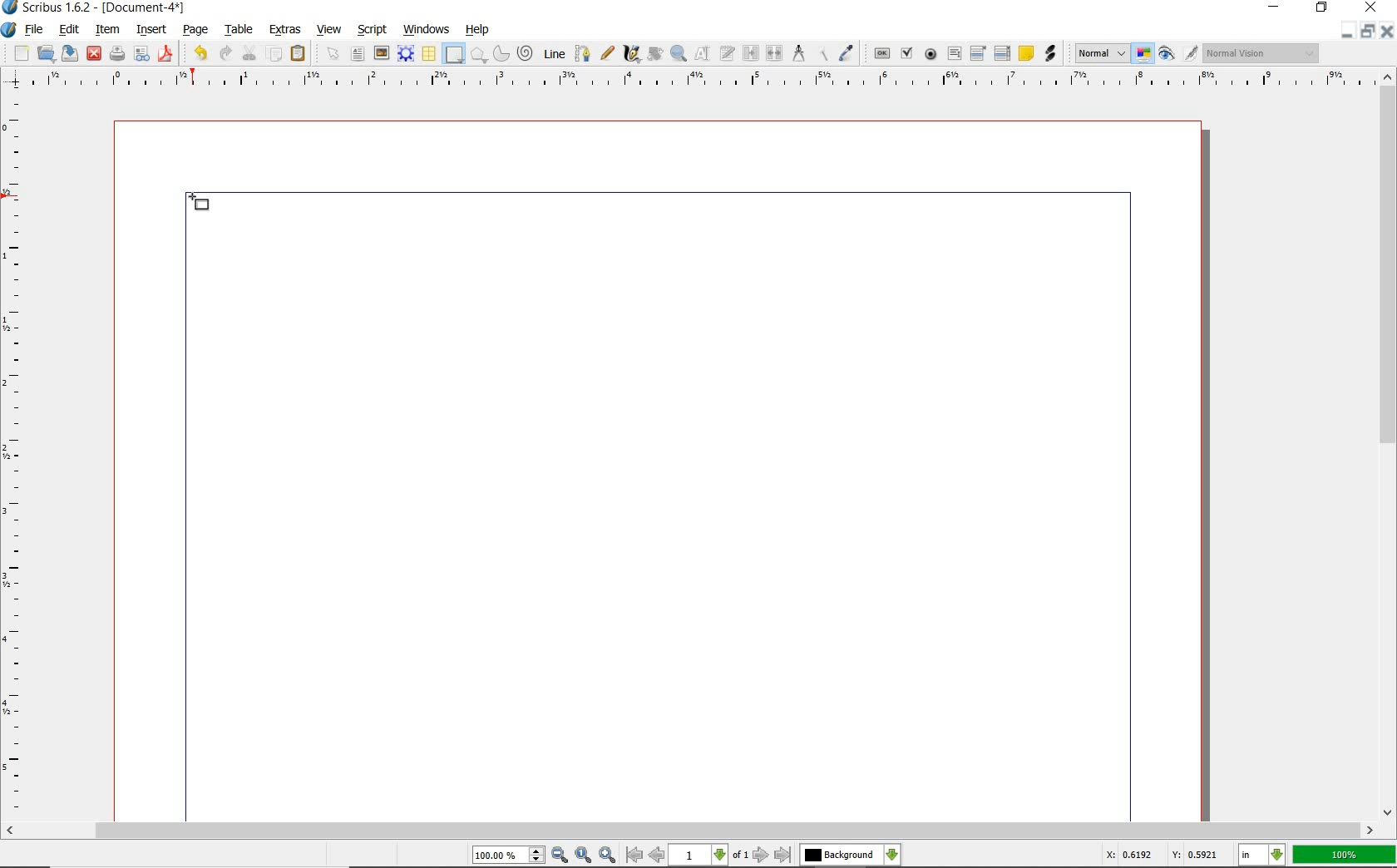  Describe the element at coordinates (1049, 55) in the screenshot. I see `link annotation` at that location.